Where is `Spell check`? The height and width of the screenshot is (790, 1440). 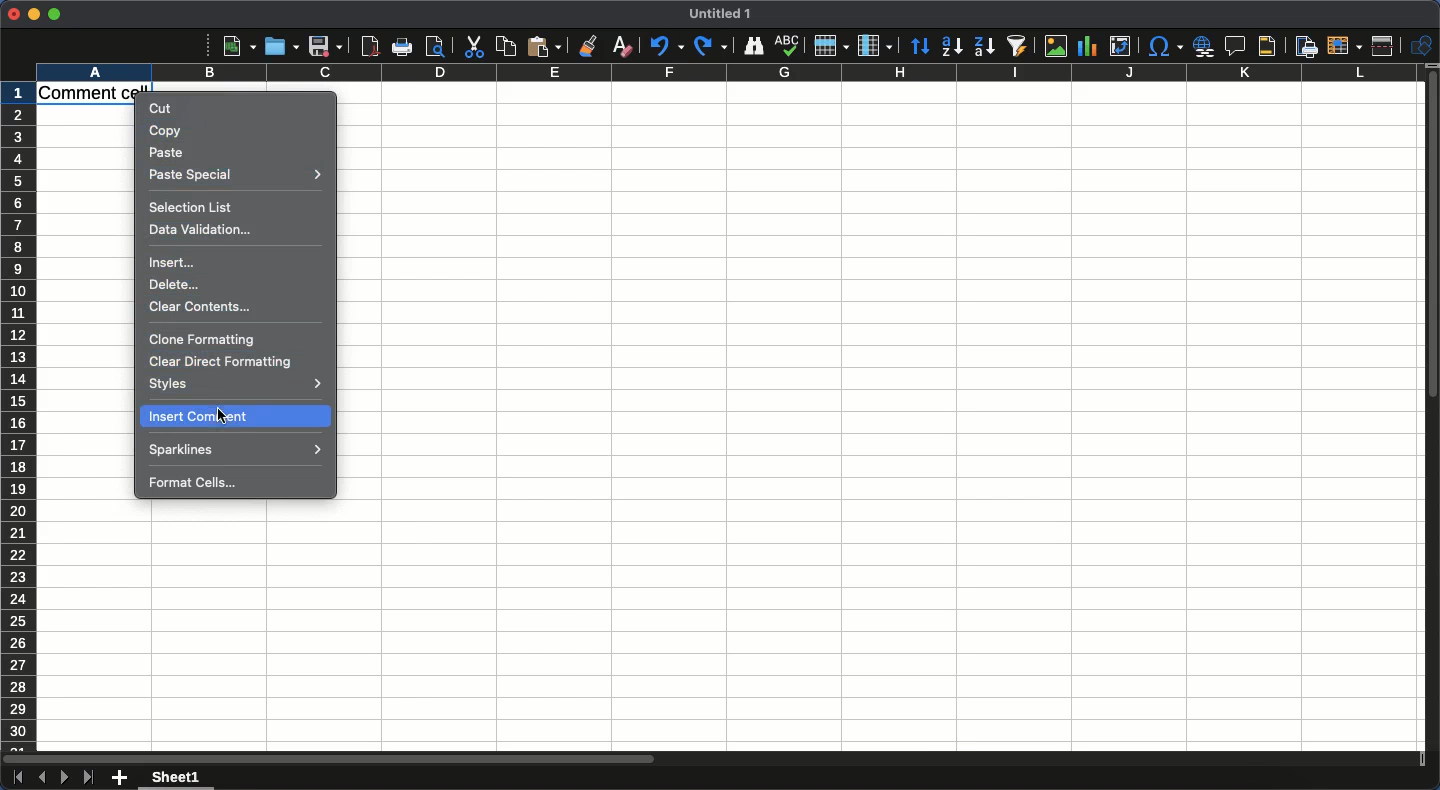 Spell check is located at coordinates (788, 46).